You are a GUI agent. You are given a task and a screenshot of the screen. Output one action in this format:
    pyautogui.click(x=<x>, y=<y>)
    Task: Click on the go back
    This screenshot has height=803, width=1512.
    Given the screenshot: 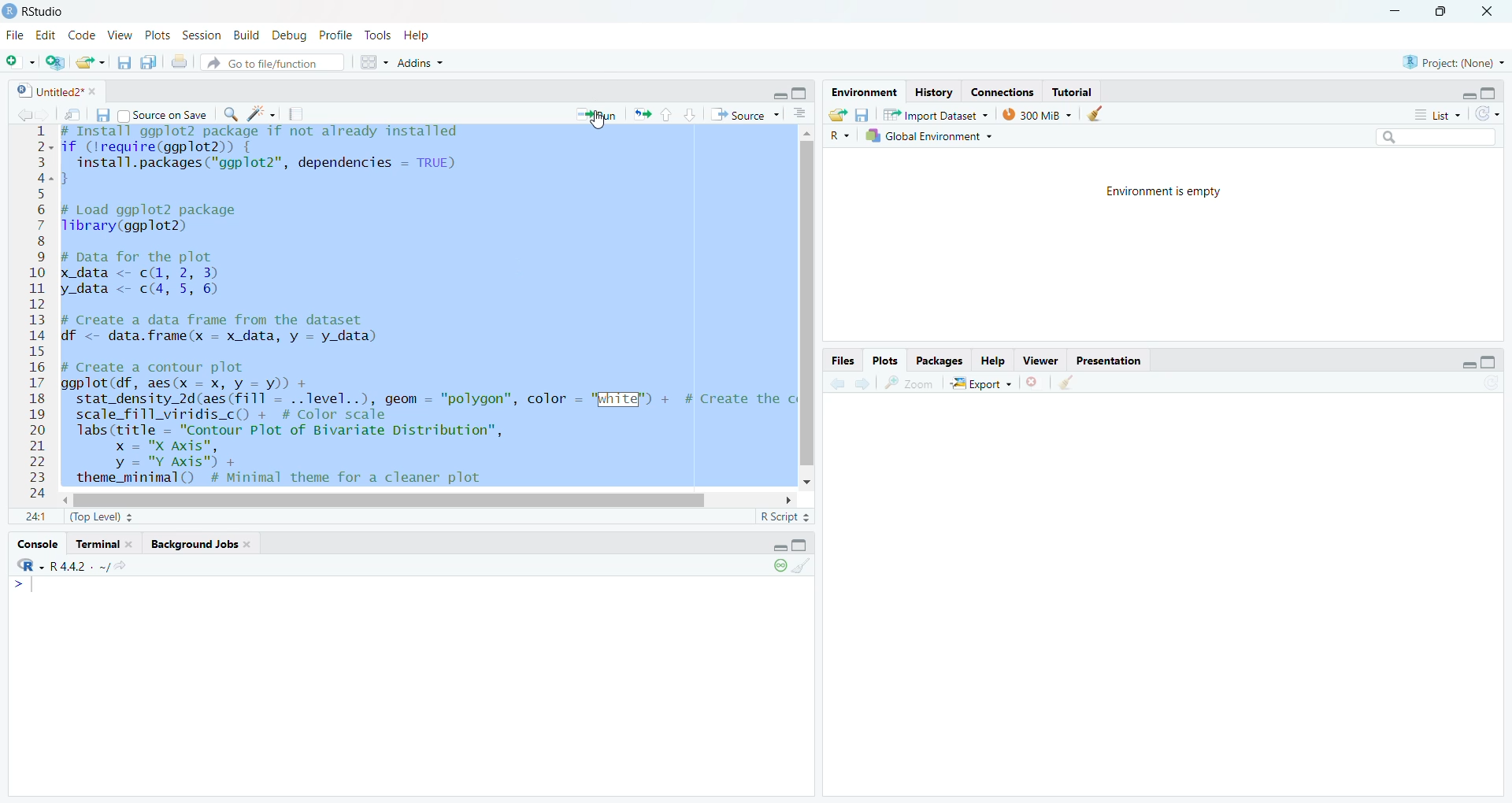 What is the action you would take?
    pyautogui.click(x=832, y=383)
    